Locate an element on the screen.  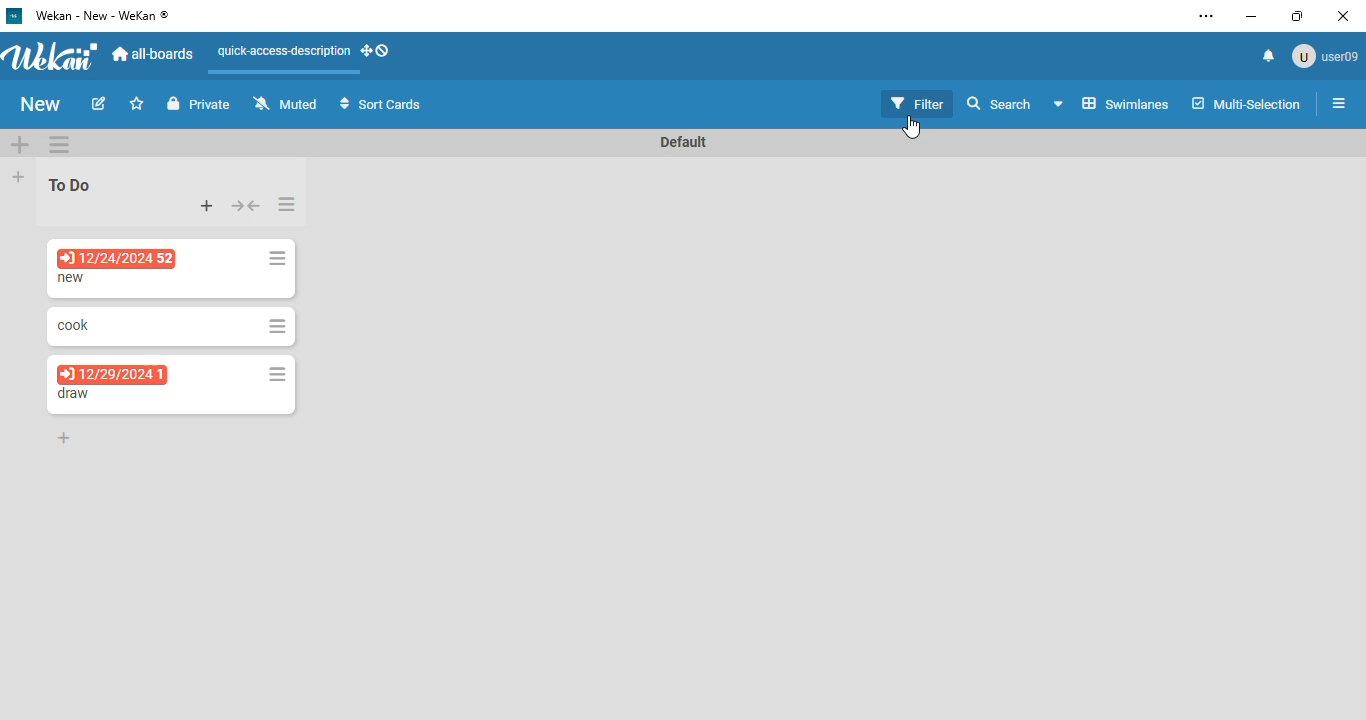
cursor is located at coordinates (912, 129).